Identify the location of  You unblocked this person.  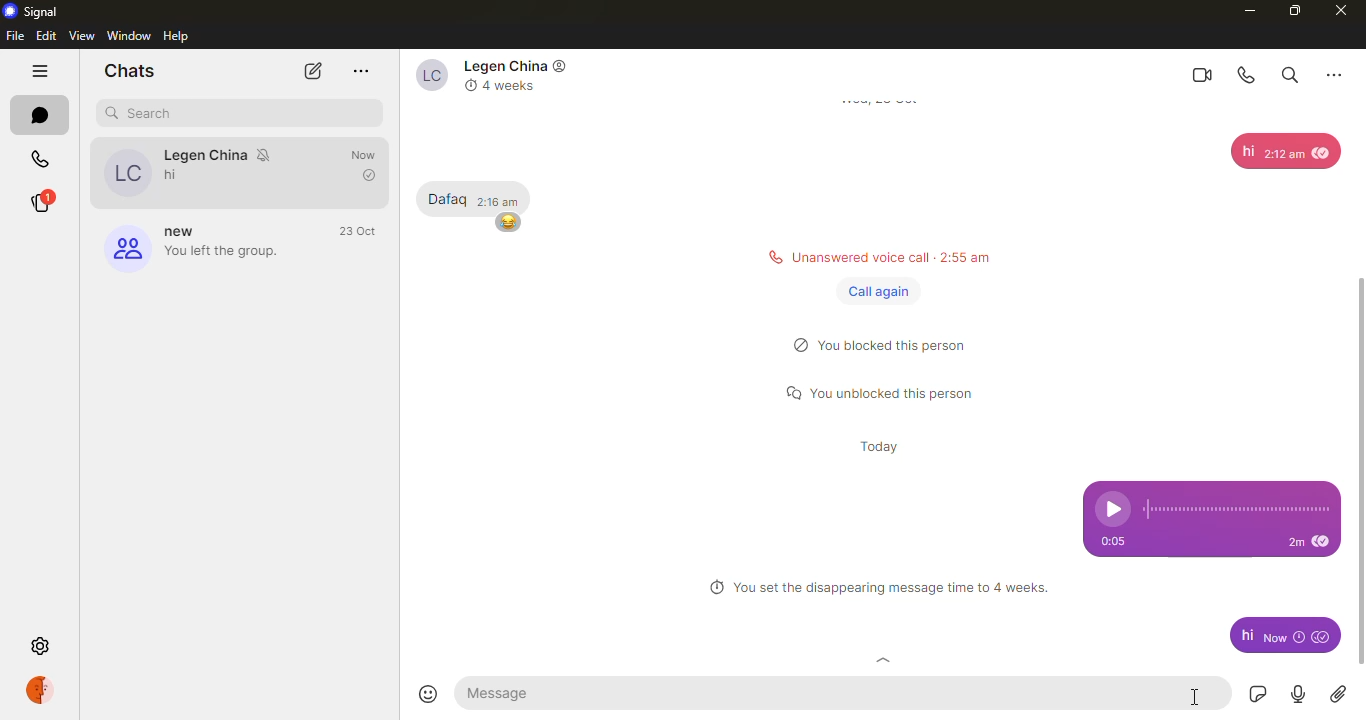
(883, 395).